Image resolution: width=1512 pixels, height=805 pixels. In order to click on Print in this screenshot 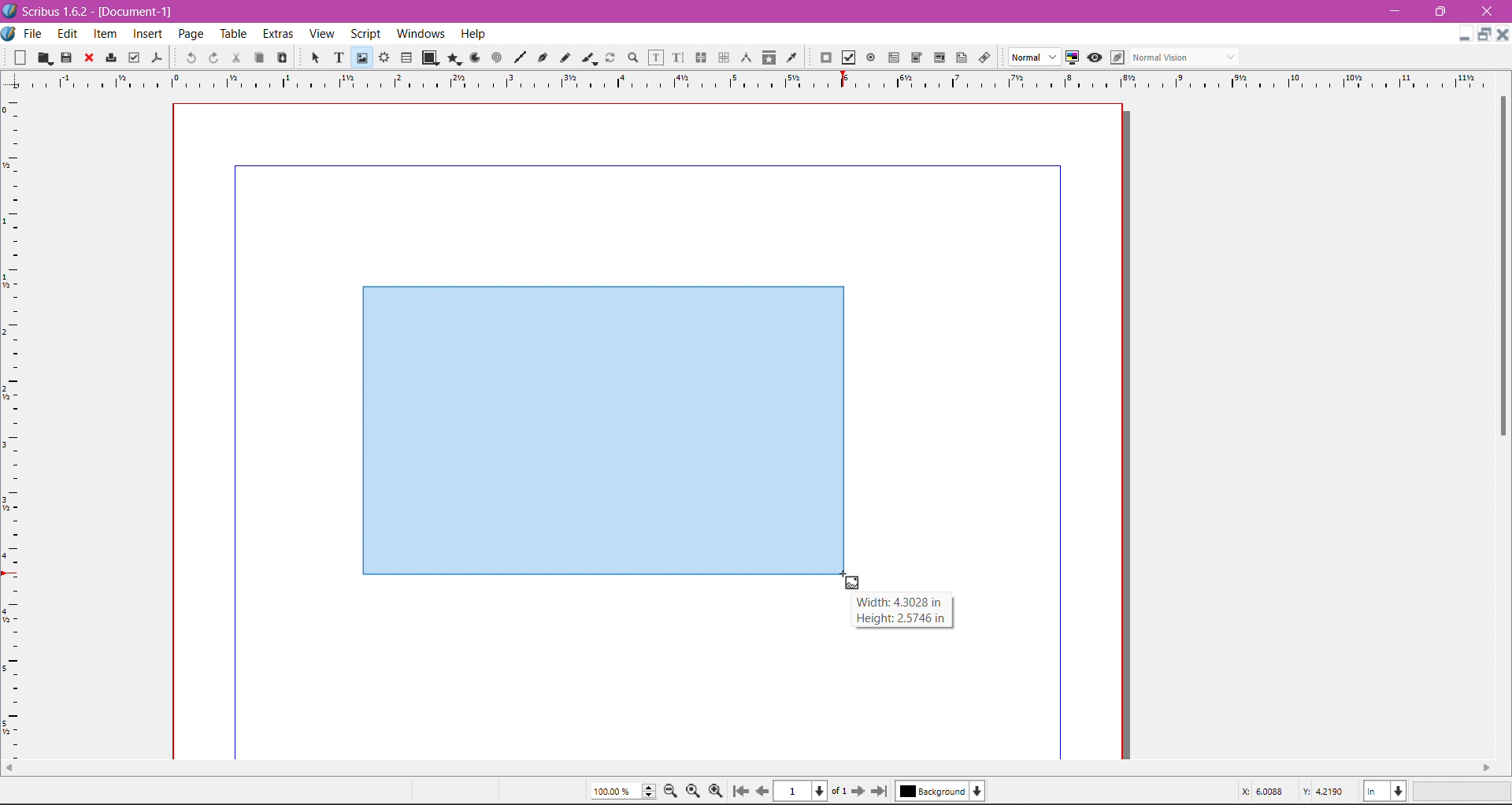, I will do `click(110, 57)`.